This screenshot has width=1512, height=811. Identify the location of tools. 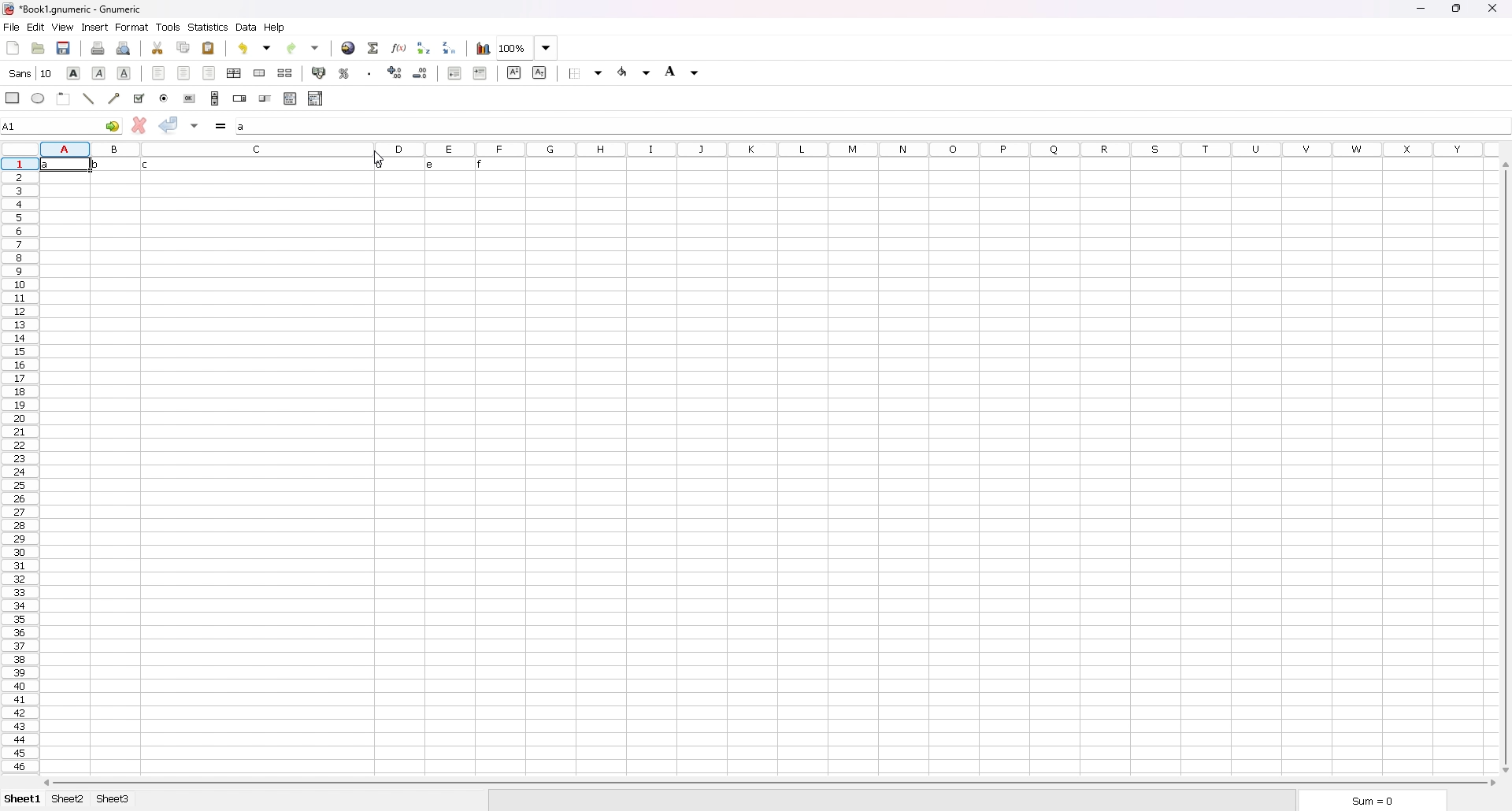
(169, 27).